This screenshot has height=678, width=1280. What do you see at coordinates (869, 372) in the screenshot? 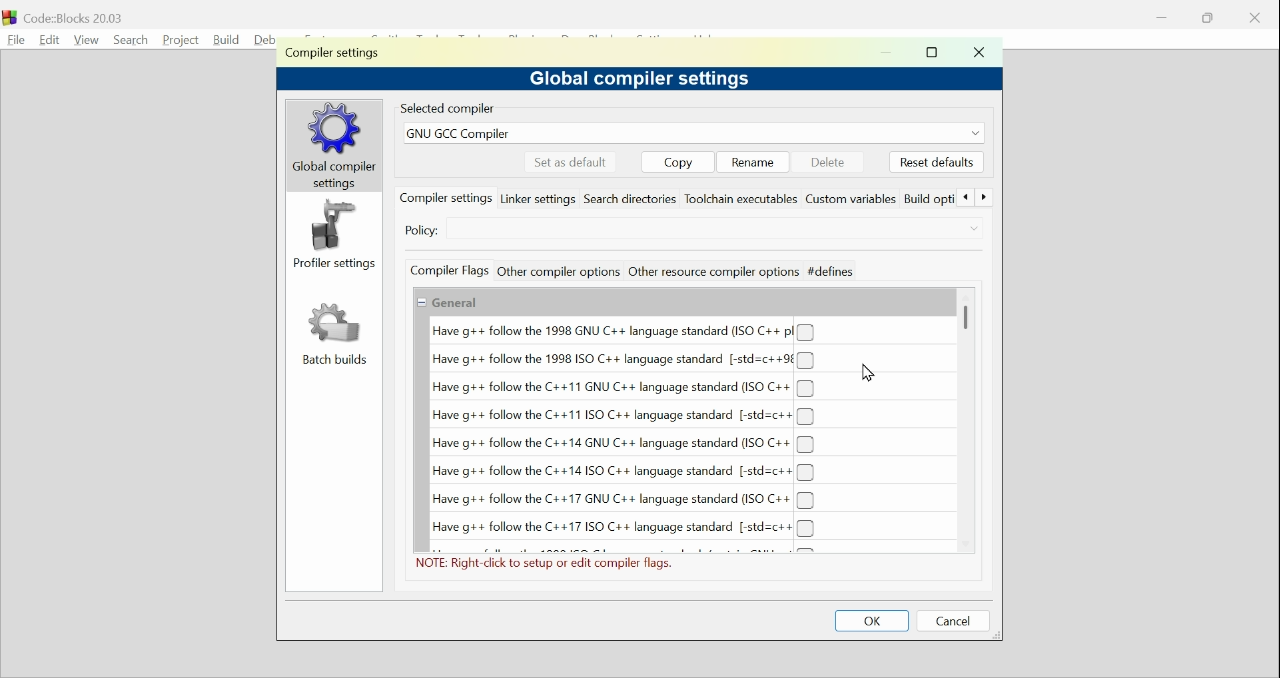
I see `Cursor` at bounding box center [869, 372].